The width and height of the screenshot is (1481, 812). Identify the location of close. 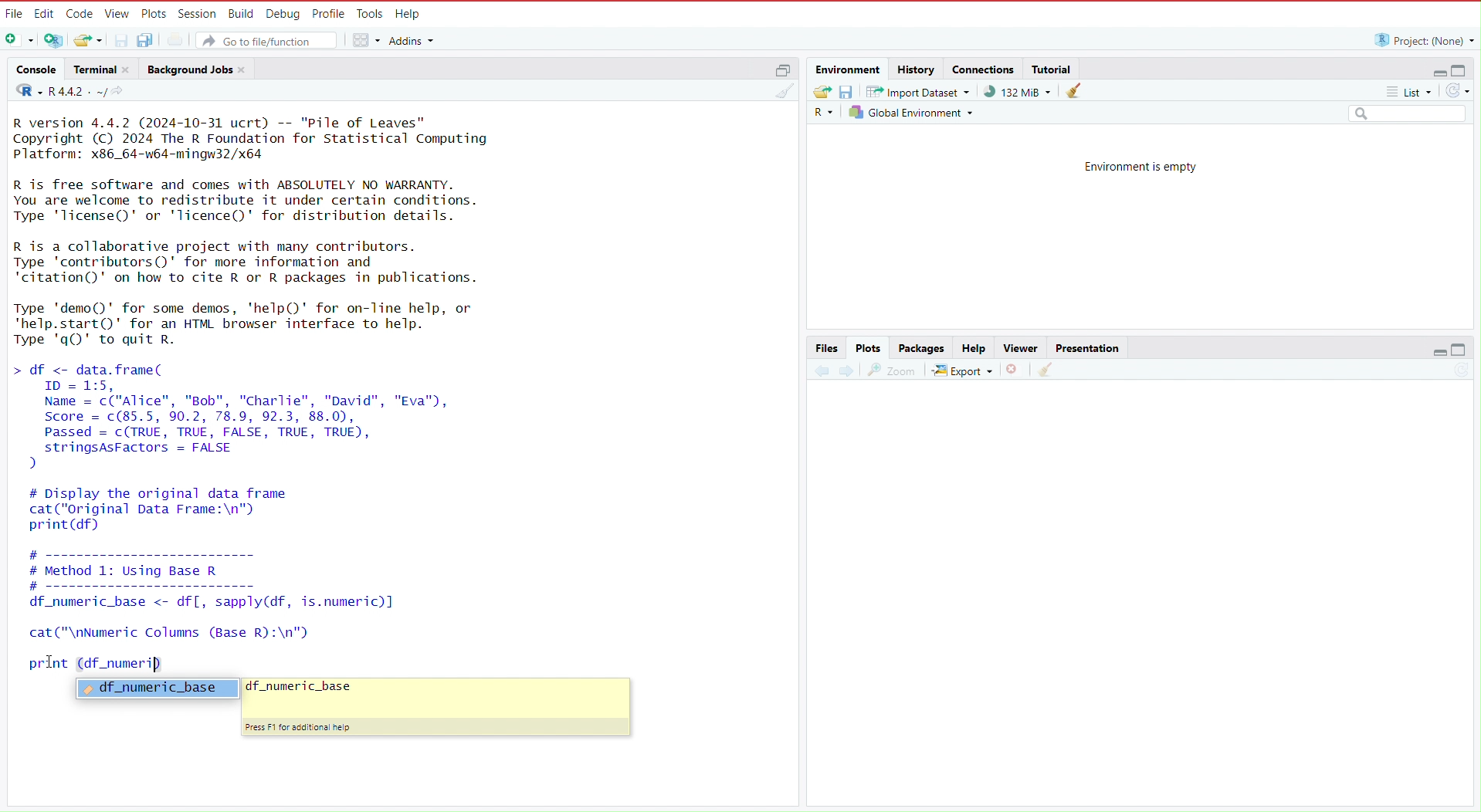
(129, 69).